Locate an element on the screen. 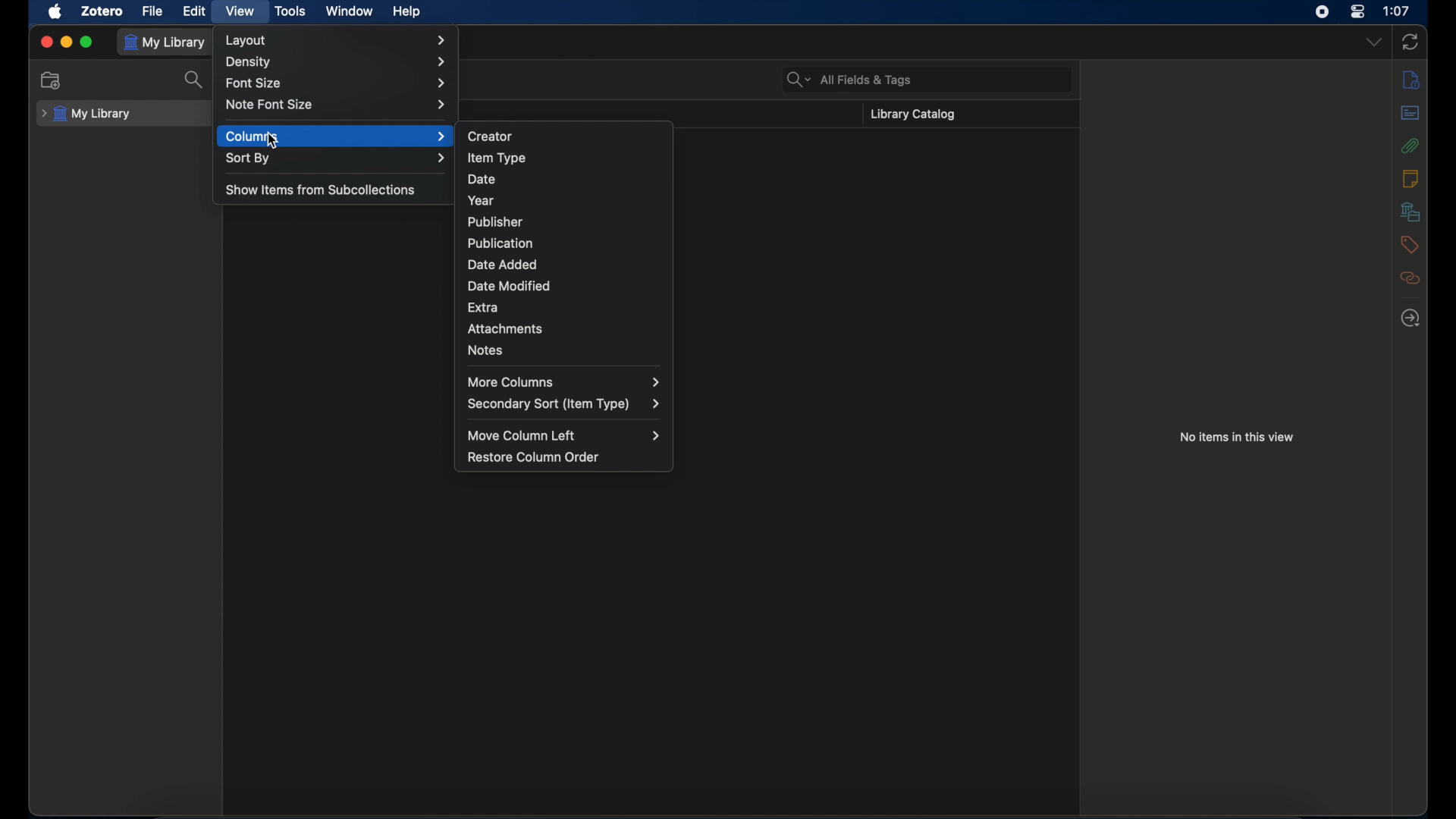  window is located at coordinates (350, 11).